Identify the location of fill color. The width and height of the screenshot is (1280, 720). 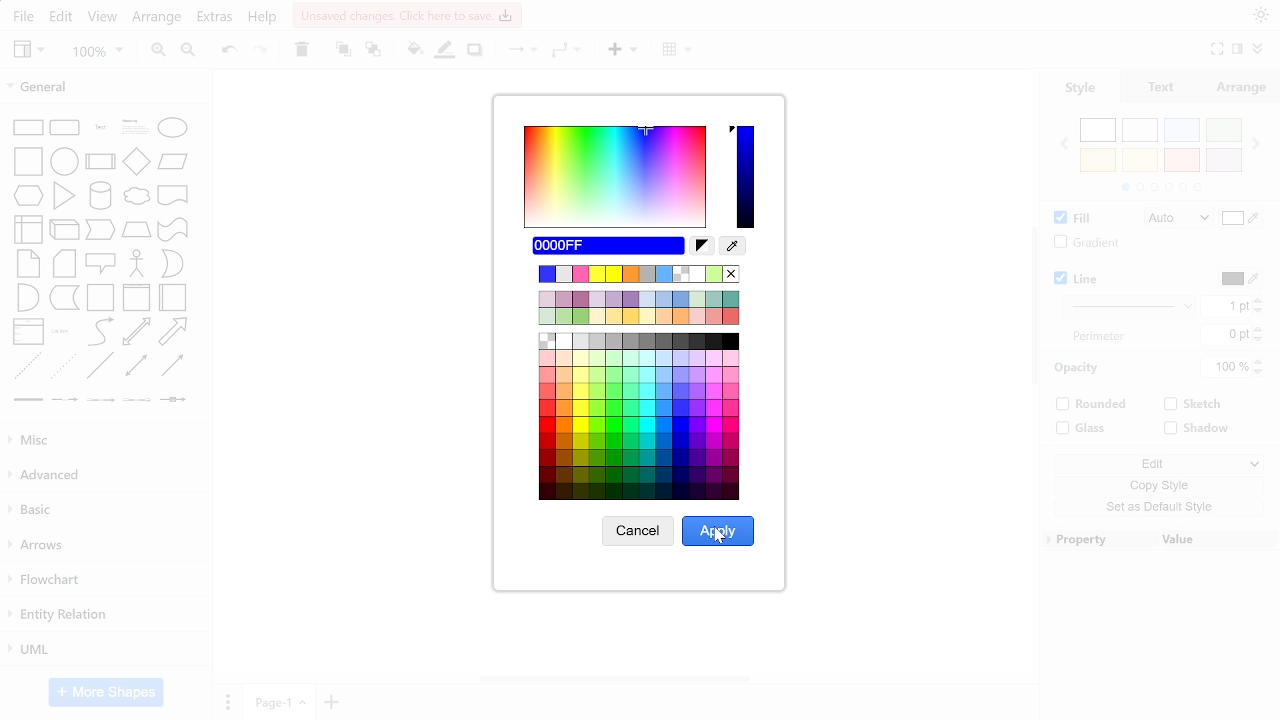
(414, 51).